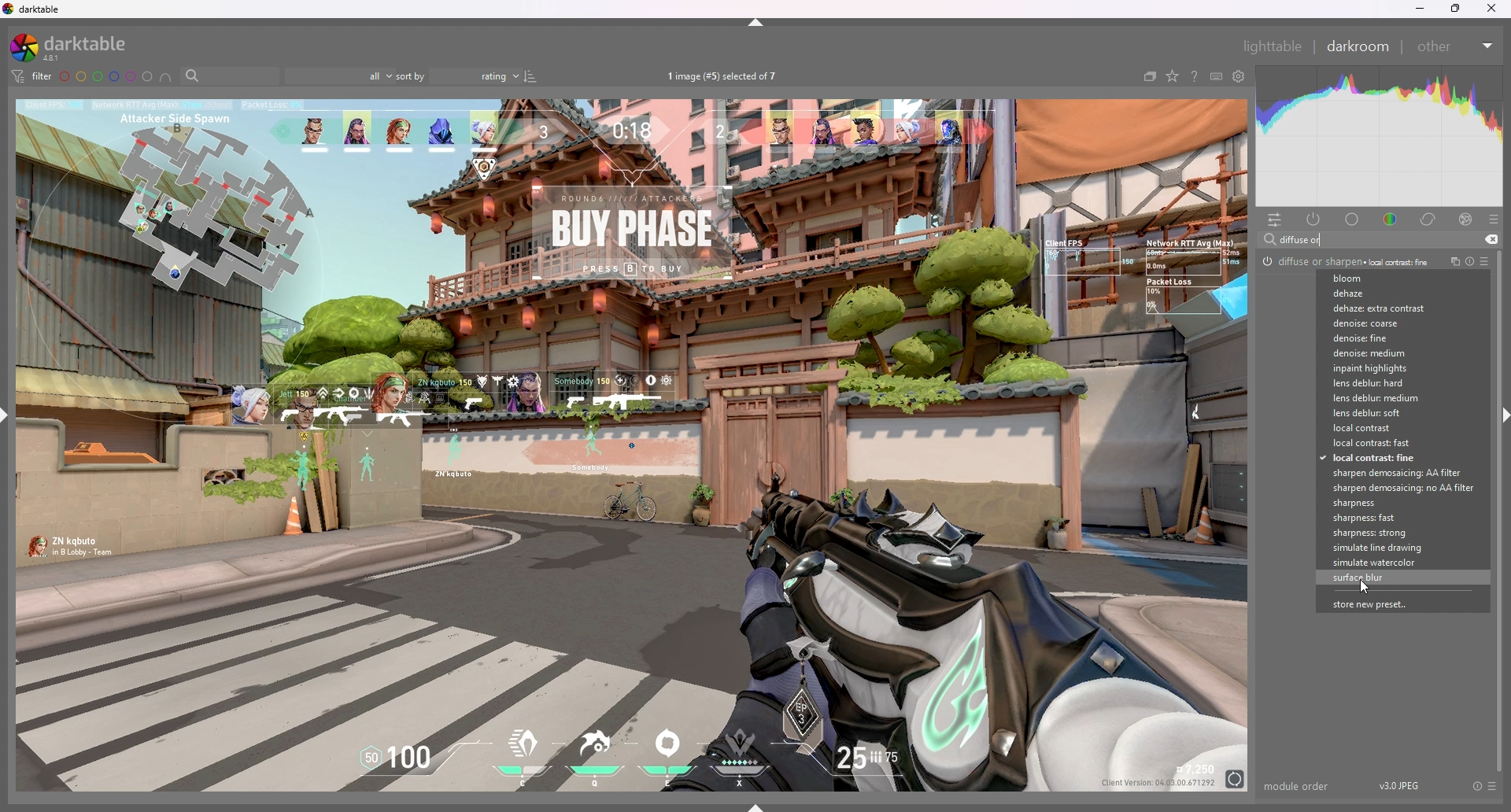 The width and height of the screenshot is (1511, 812). What do you see at coordinates (757, 22) in the screenshot?
I see `hide` at bounding box center [757, 22].